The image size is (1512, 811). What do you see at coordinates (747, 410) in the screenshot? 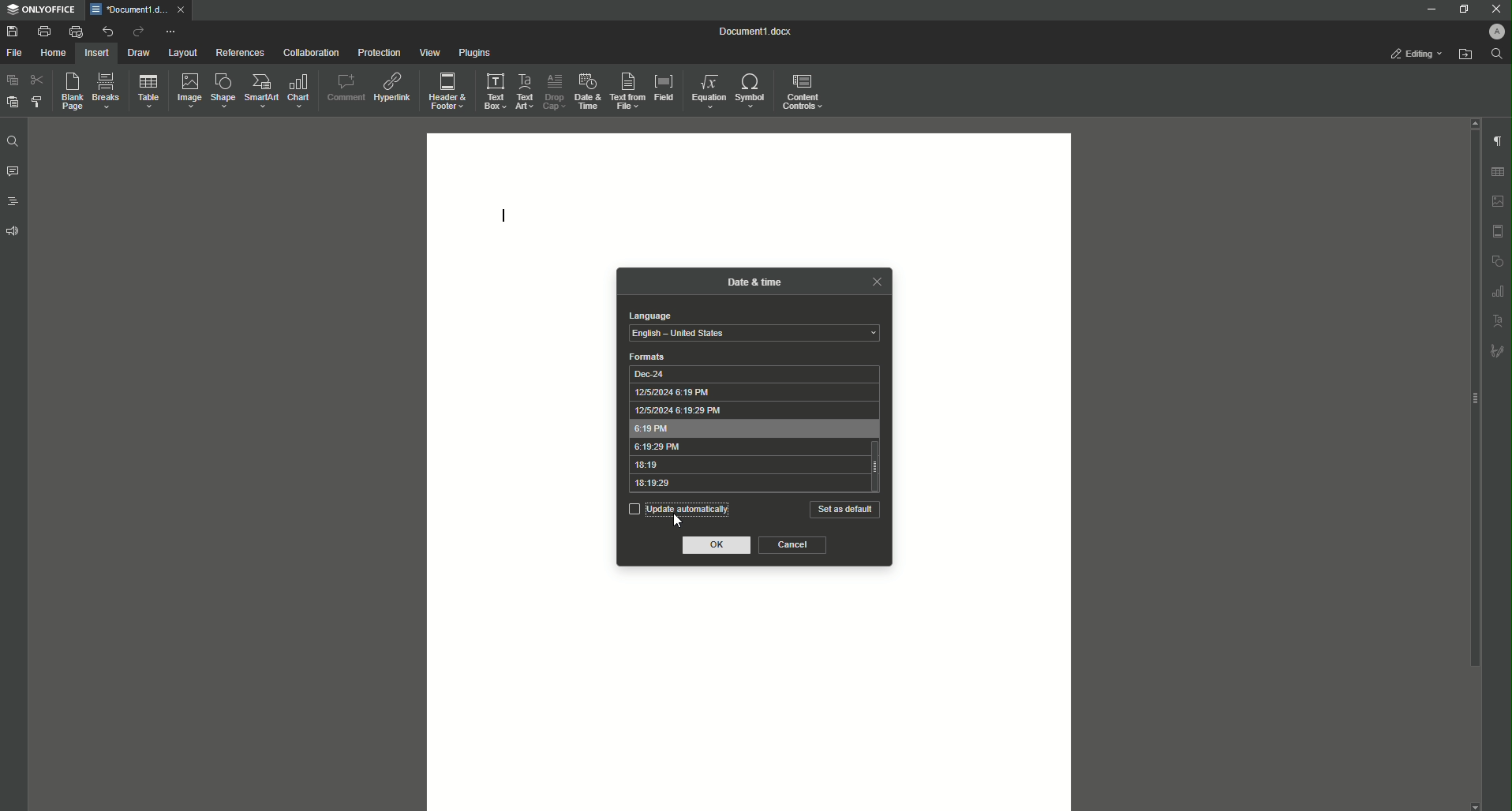
I see `12/5/2024 6:19:29 PM` at bounding box center [747, 410].